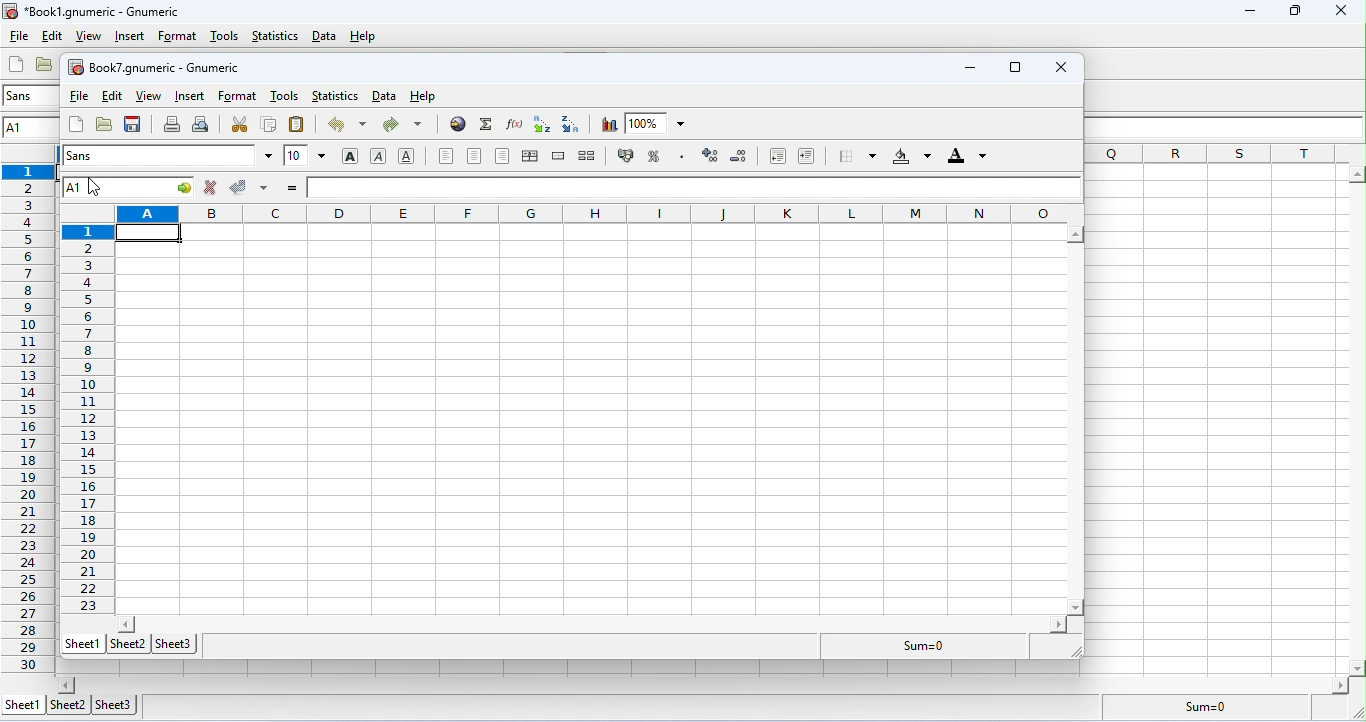  What do you see at coordinates (1292, 11) in the screenshot?
I see `maximize` at bounding box center [1292, 11].